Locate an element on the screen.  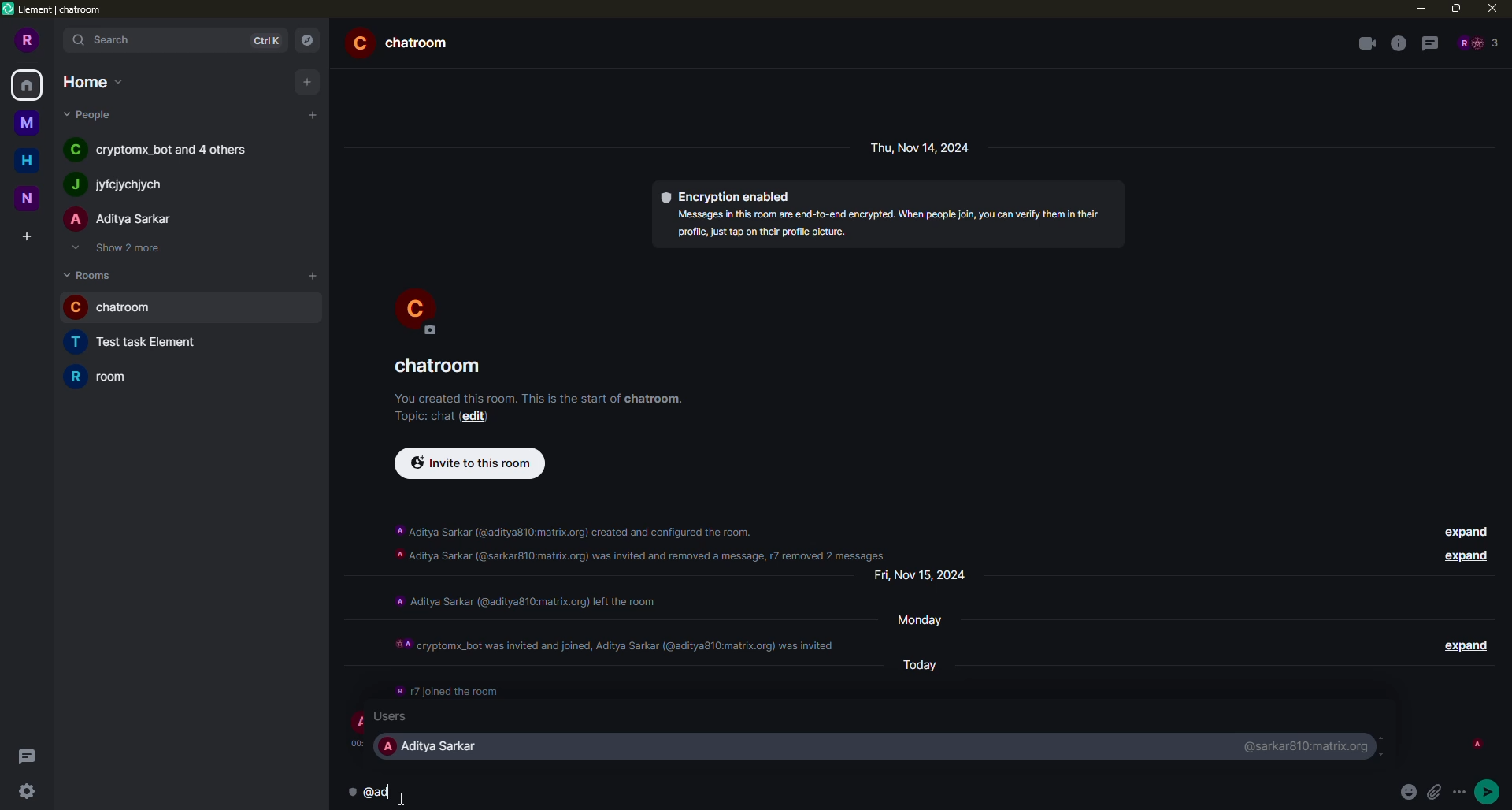
maximize is located at coordinates (1456, 7).